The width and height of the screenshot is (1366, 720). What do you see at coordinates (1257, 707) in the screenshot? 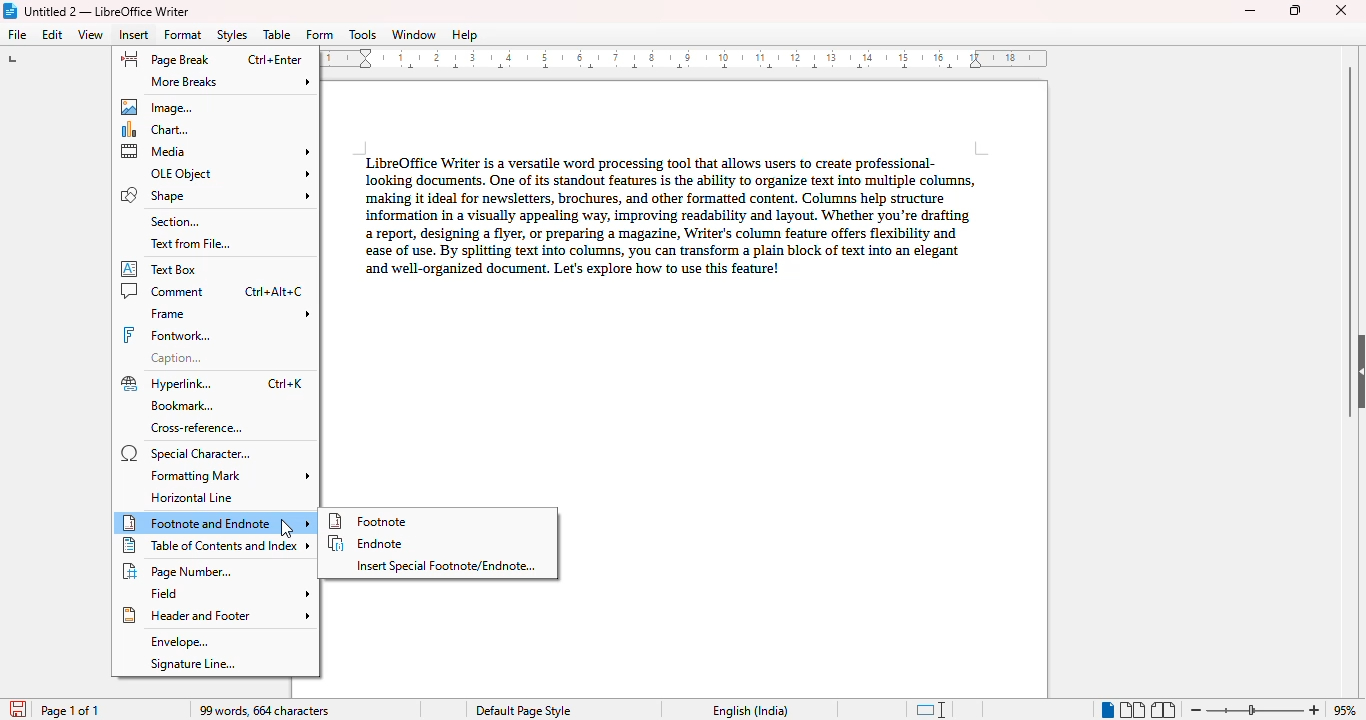
I see `Change zoom level` at bounding box center [1257, 707].